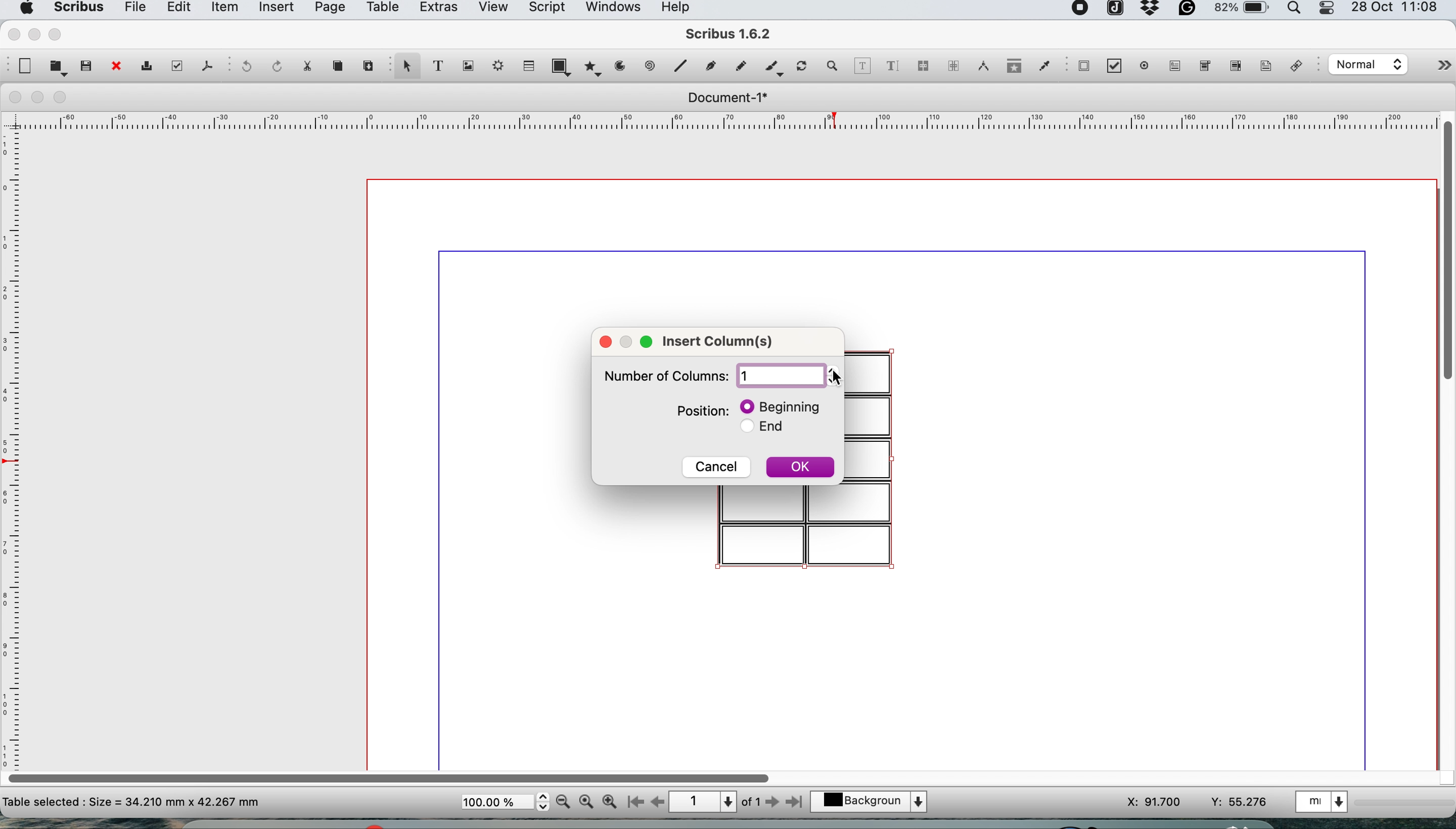  I want to click on arc, so click(624, 66).